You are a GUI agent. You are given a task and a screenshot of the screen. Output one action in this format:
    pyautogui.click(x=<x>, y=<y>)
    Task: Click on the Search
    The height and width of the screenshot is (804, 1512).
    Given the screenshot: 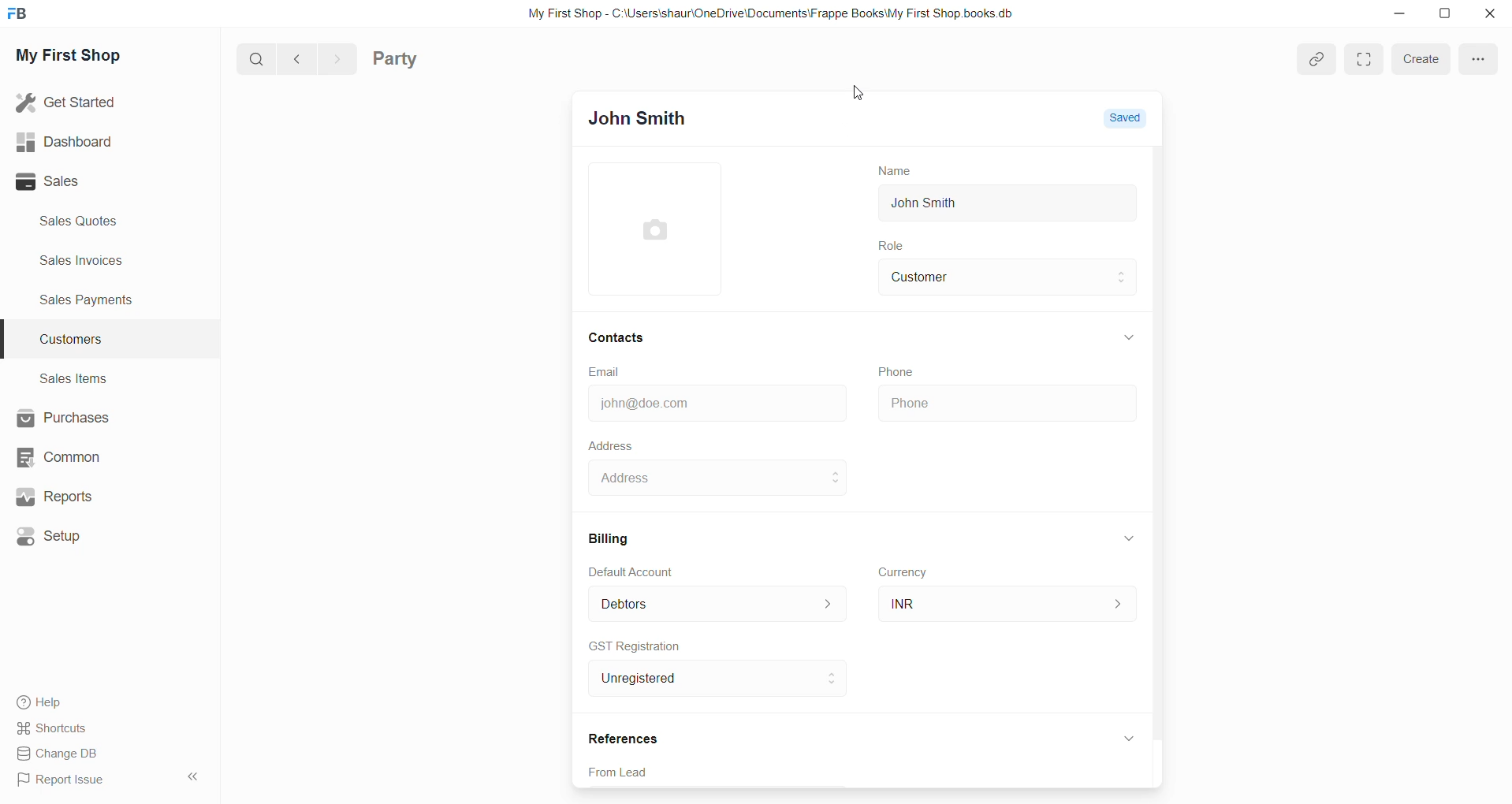 What is the action you would take?
    pyautogui.click(x=256, y=61)
    